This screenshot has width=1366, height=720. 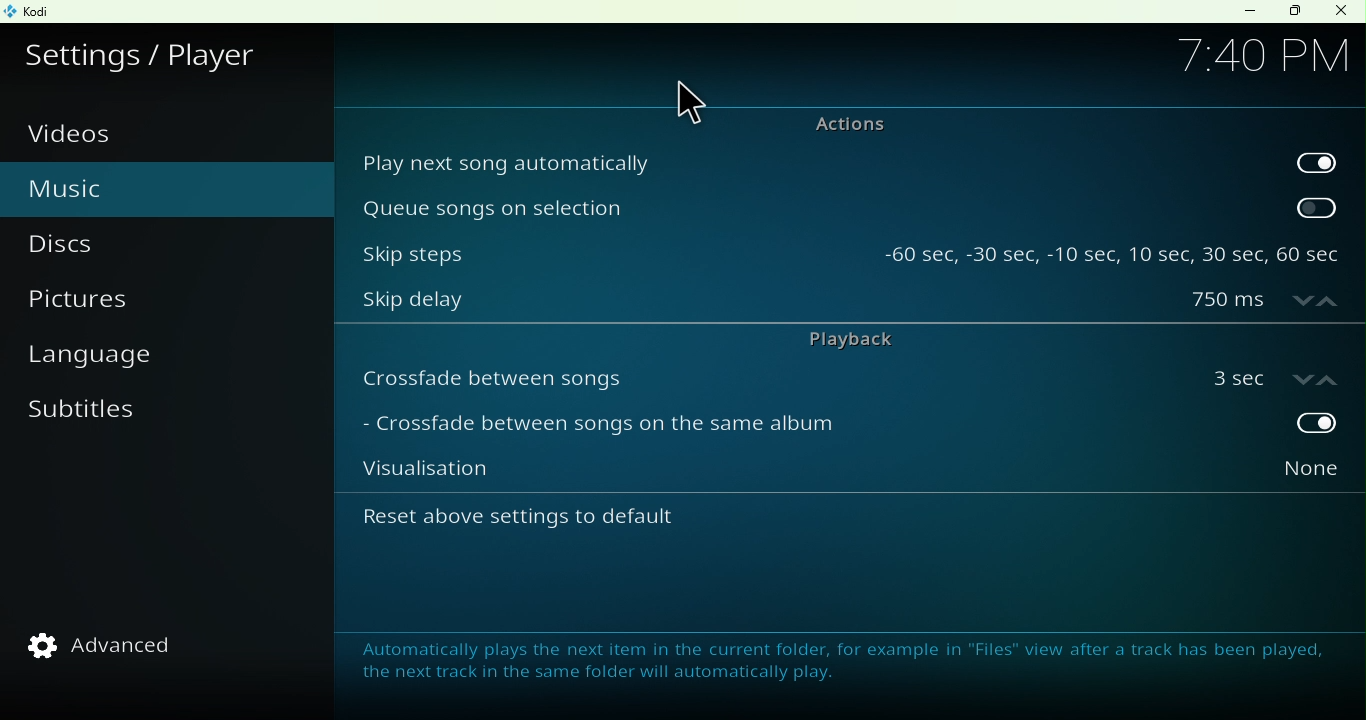 What do you see at coordinates (1265, 302) in the screenshot?
I see `750ms` at bounding box center [1265, 302].